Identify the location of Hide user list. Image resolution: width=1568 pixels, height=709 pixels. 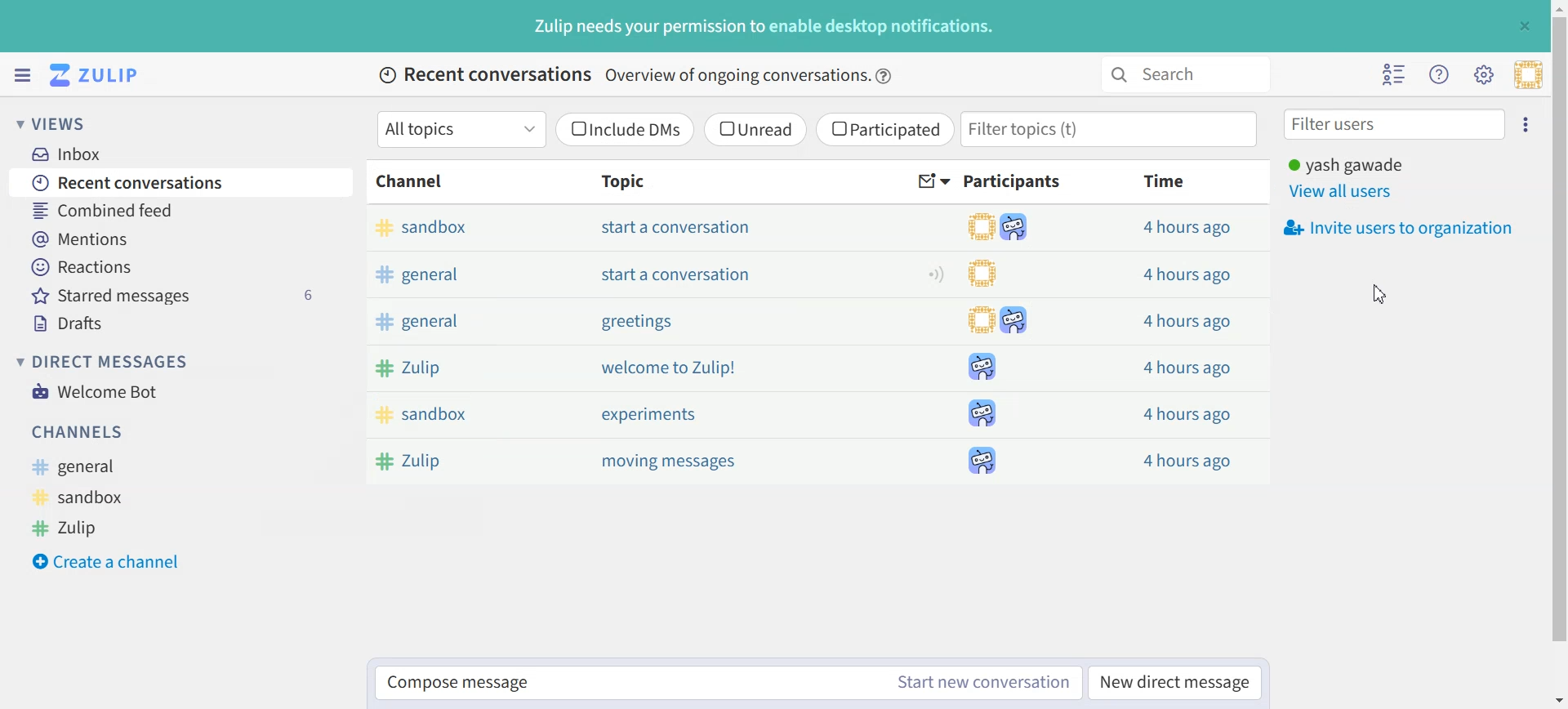
(1395, 74).